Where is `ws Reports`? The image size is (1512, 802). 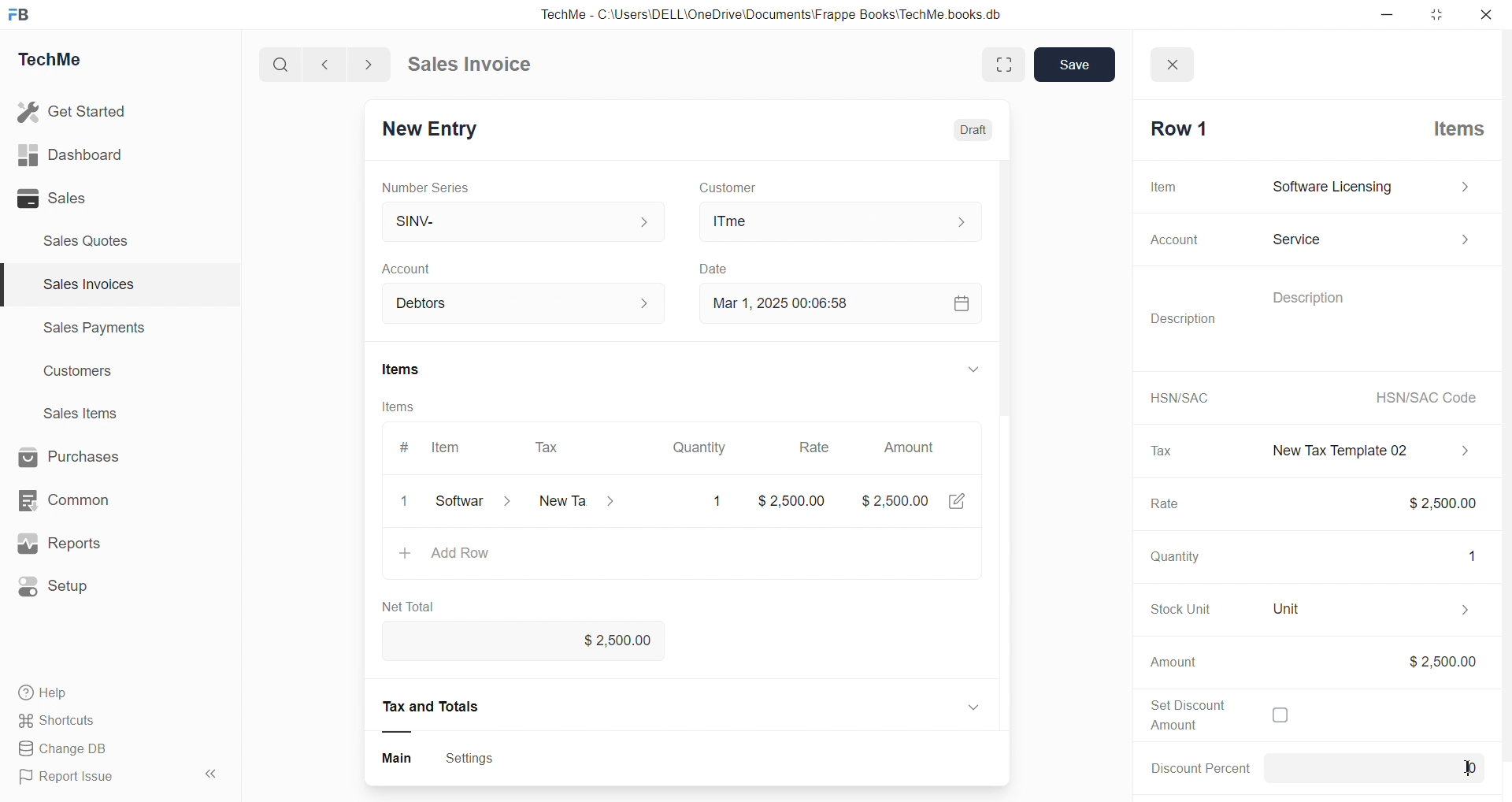 ws Reports is located at coordinates (74, 544).